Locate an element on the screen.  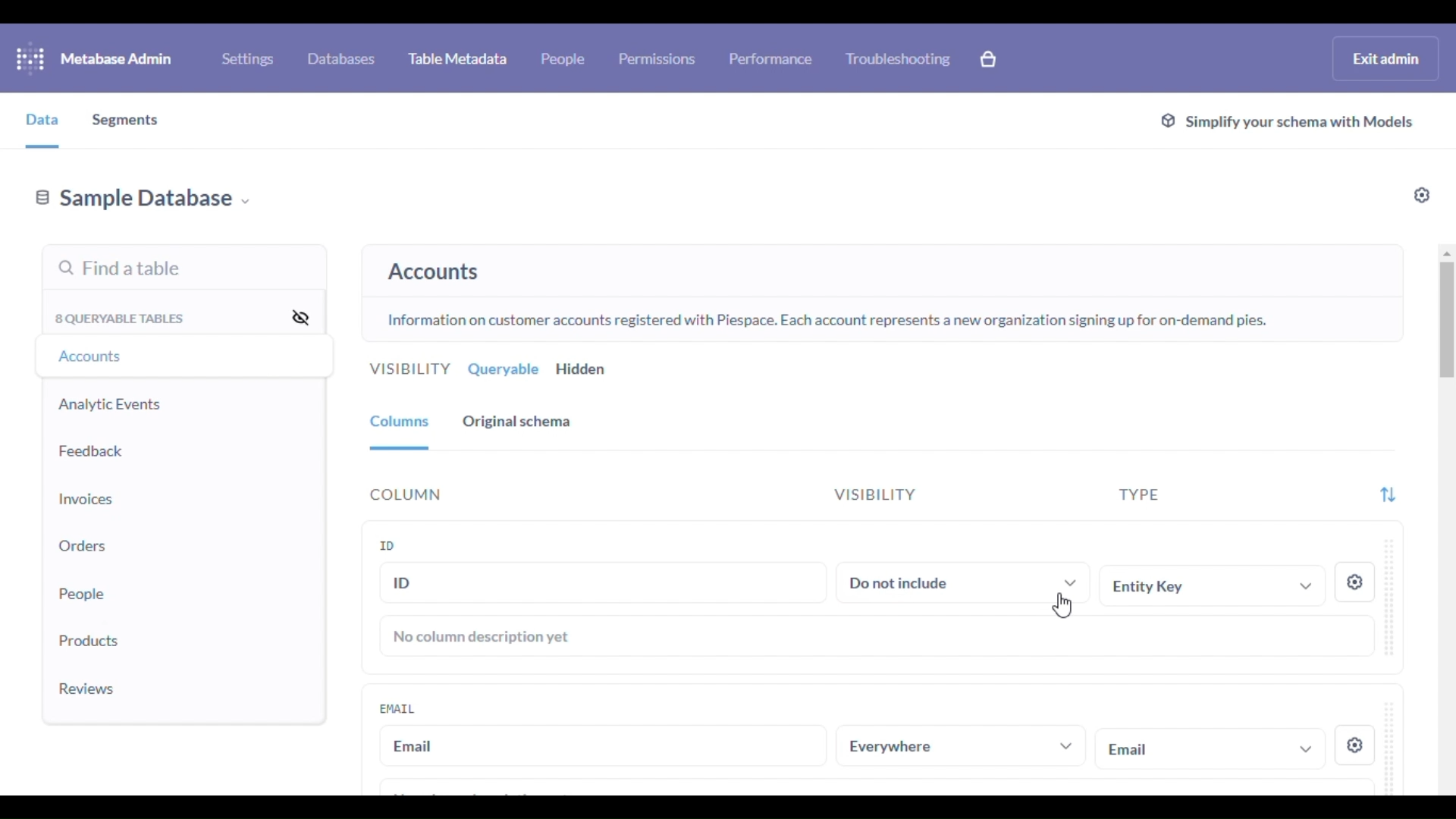
email is located at coordinates (604, 746).